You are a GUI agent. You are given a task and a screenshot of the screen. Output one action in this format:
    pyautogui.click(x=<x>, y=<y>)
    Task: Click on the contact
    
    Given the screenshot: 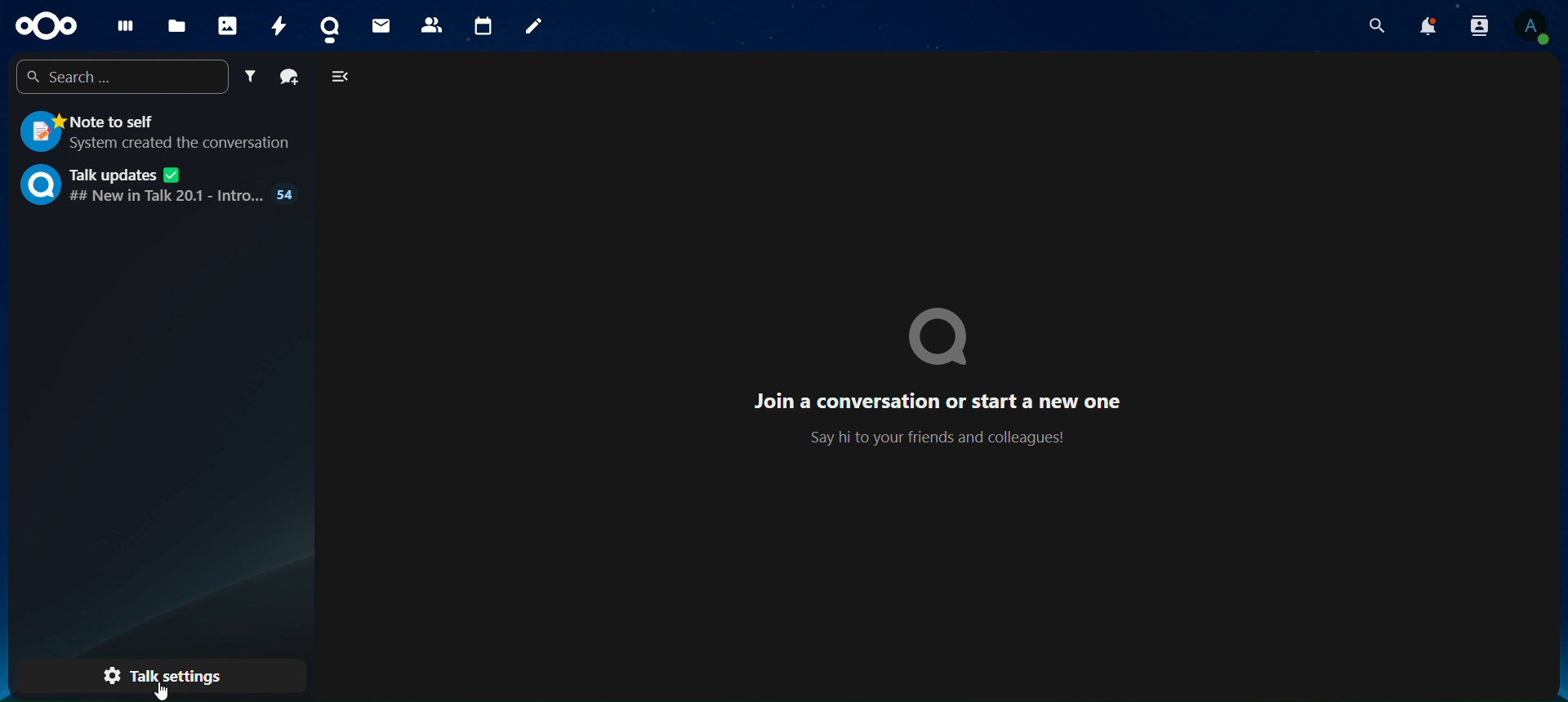 What is the action you would take?
    pyautogui.click(x=431, y=23)
    